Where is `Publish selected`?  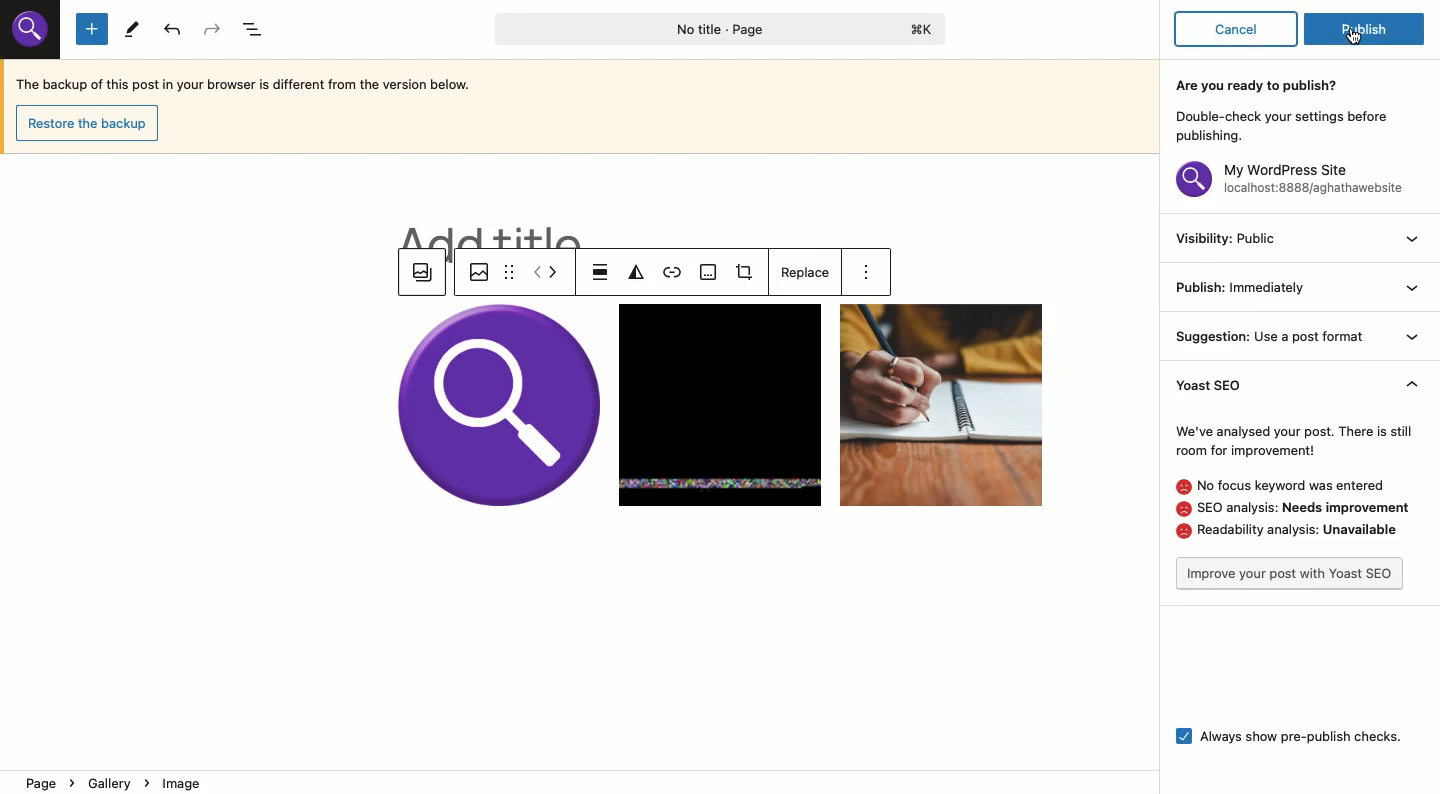
Publish selected is located at coordinates (1367, 33).